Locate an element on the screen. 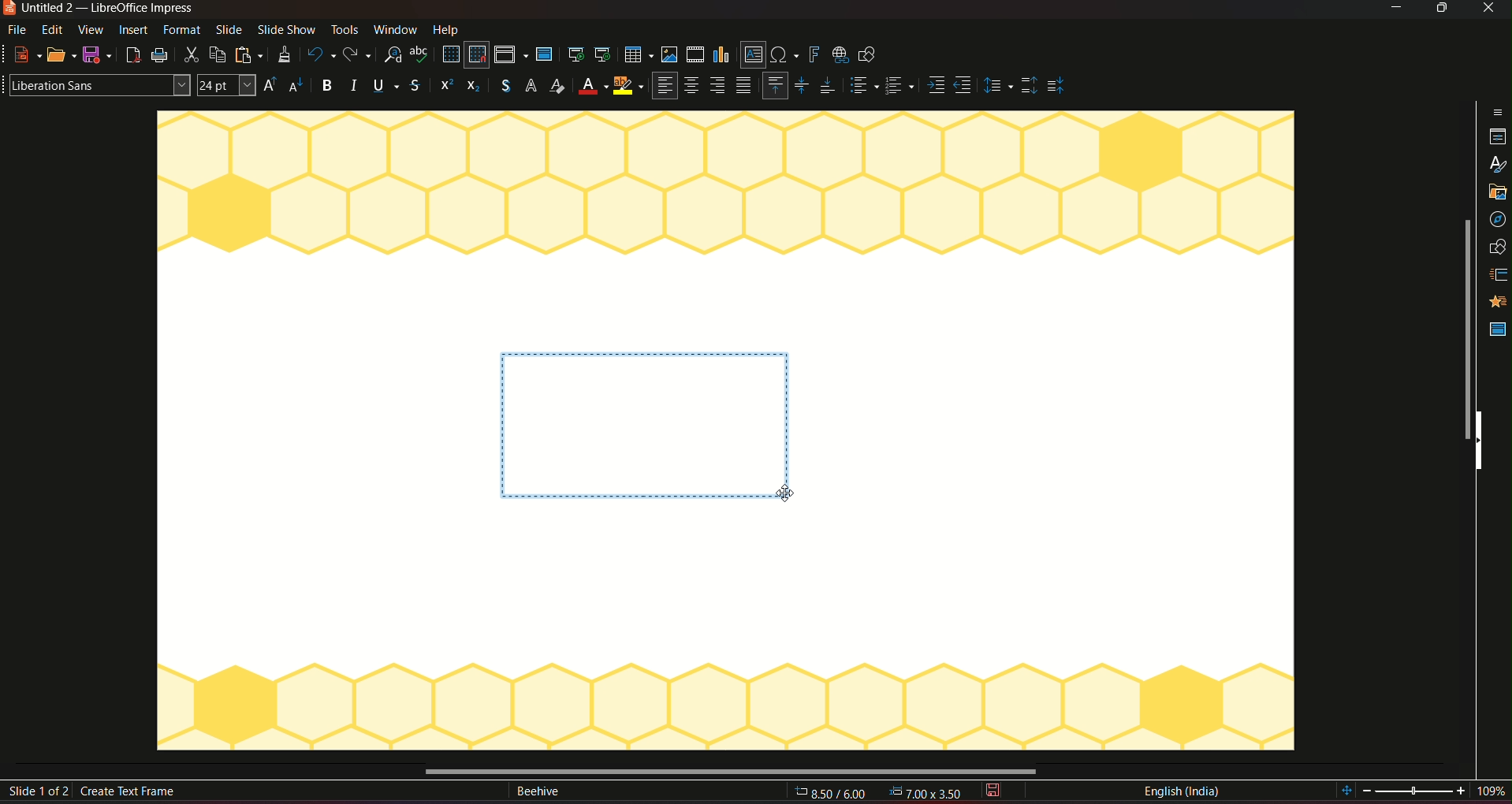  paste is located at coordinates (248, 54).